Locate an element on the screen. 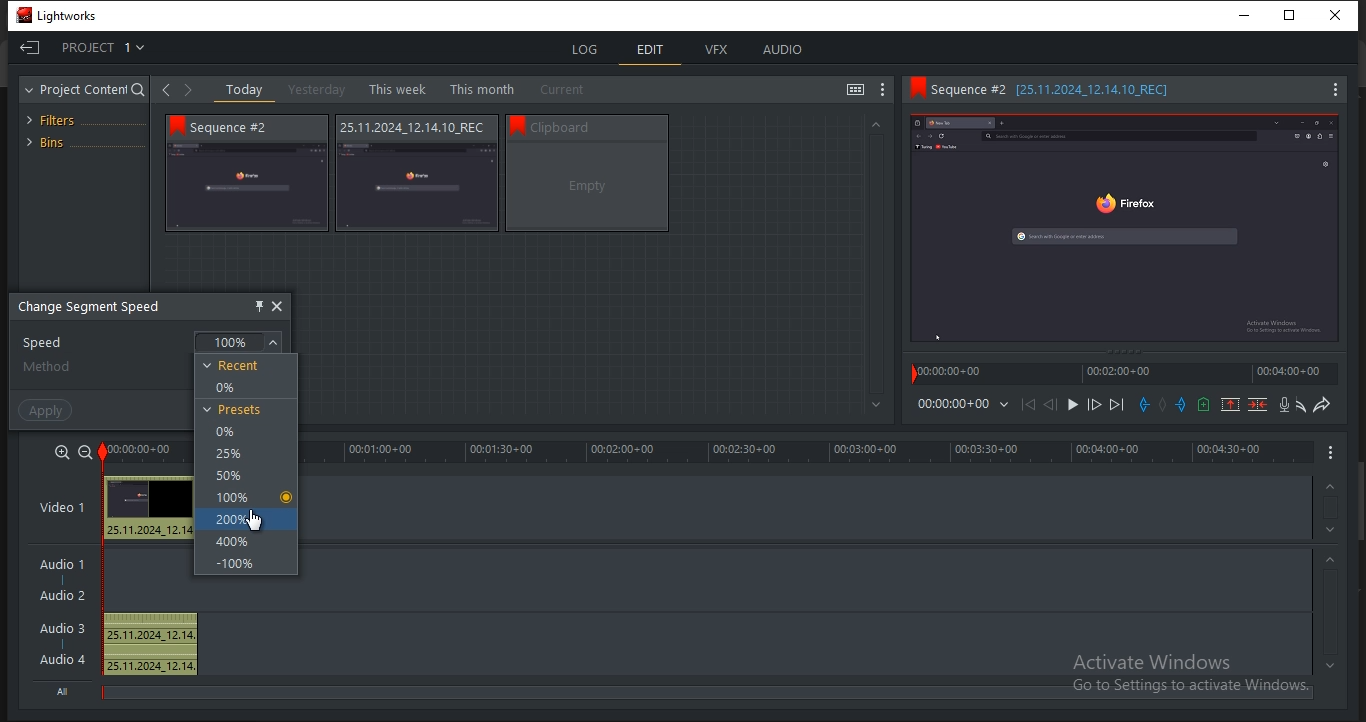  Preview thumbnail is located at coordinates (151, 499).